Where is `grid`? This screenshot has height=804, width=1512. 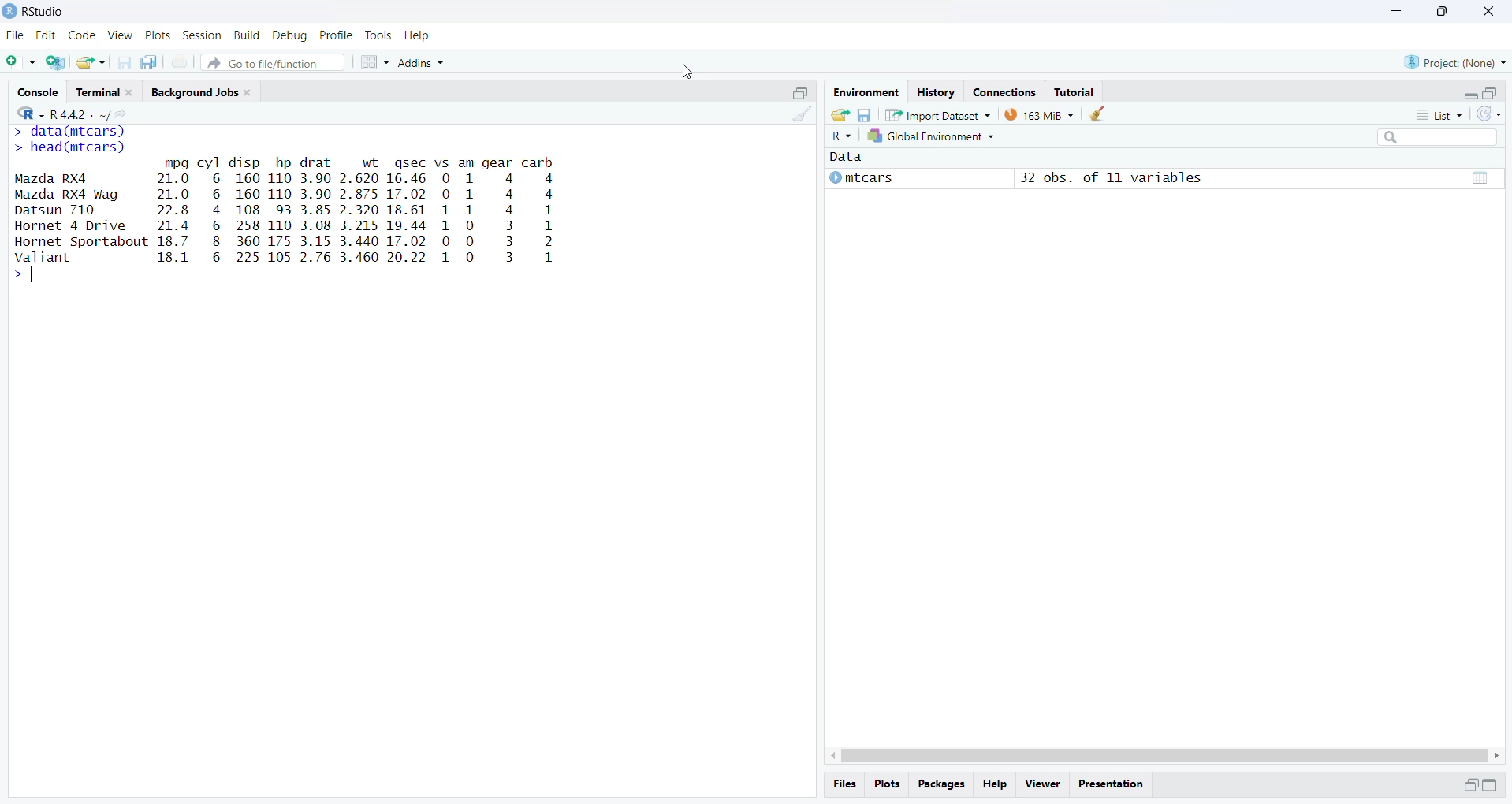
grid is located at coordinates (375, 61).